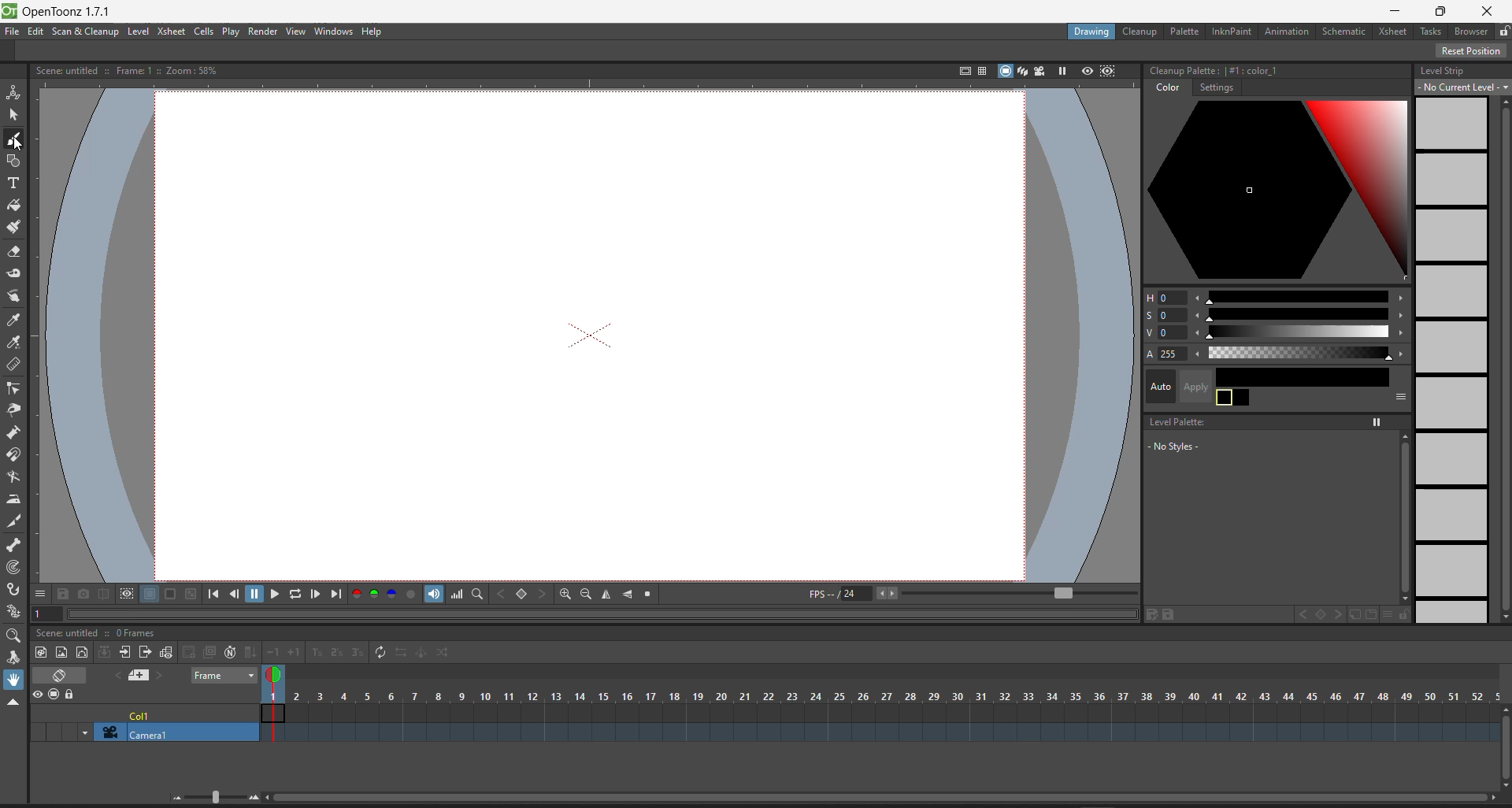 The image size is (1512, 808). Describe the element at coordinates (76, 695) in the screenshot. I see `lock toggle all` at that location.